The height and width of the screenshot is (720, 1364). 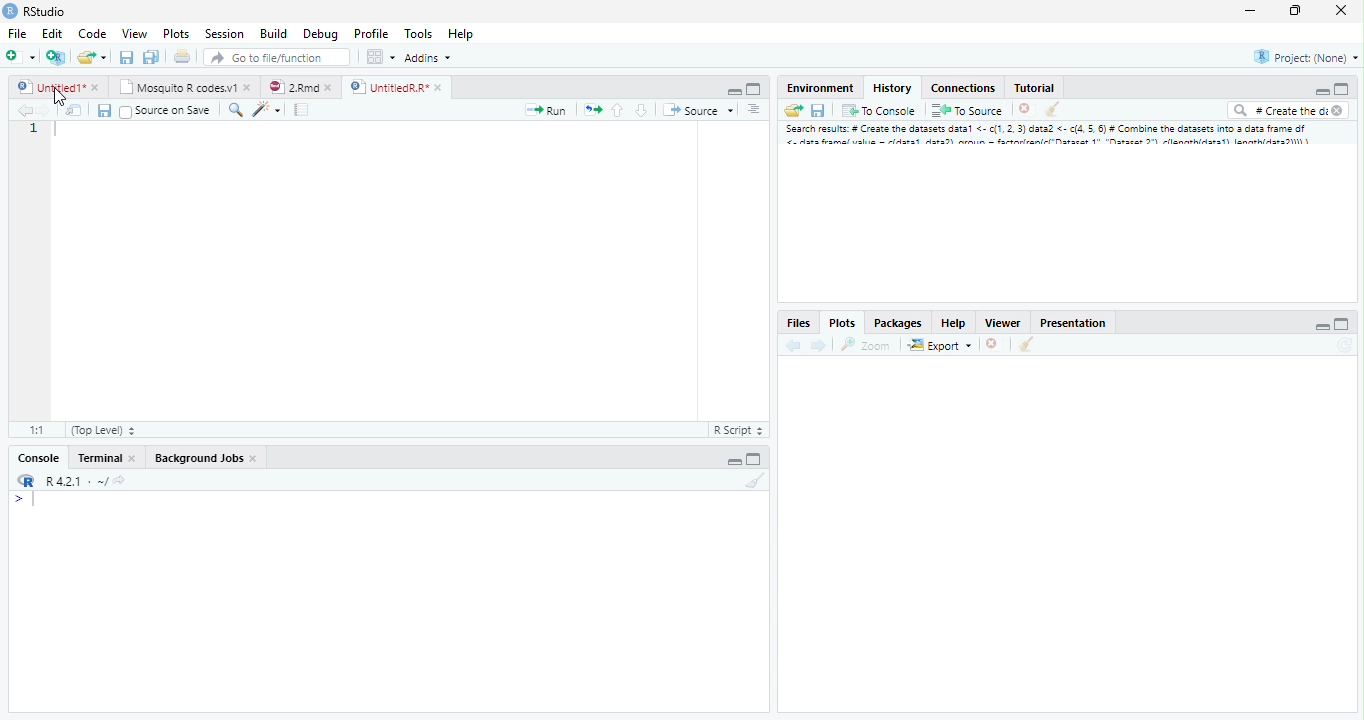 What do you see at coordinates (72, 110) in the screenshot?
I see `Show in the new window` at bounding box center [72, 110].